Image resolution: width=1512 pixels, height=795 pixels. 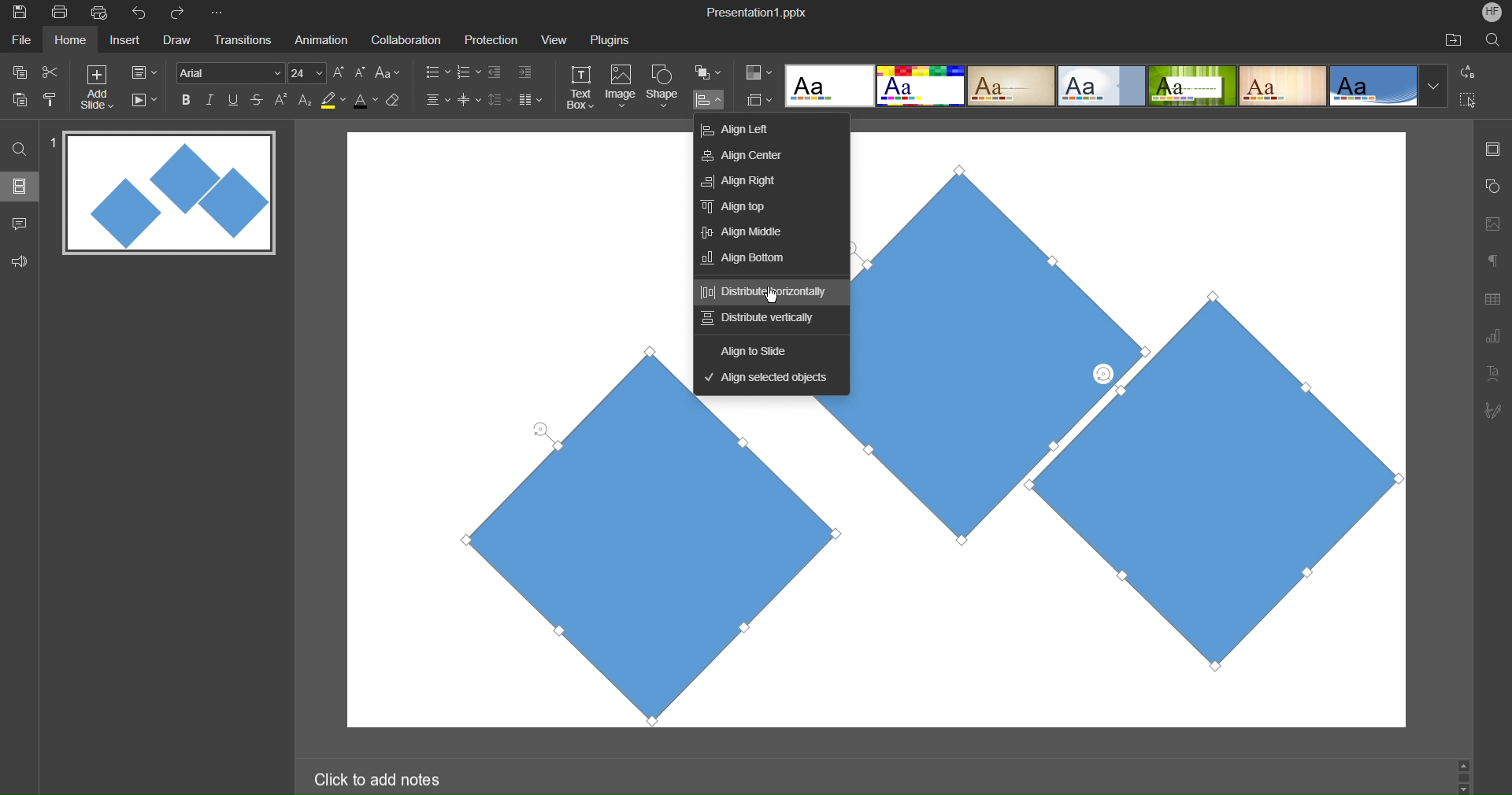 I want to click on Home, so click(x=70, y=40).